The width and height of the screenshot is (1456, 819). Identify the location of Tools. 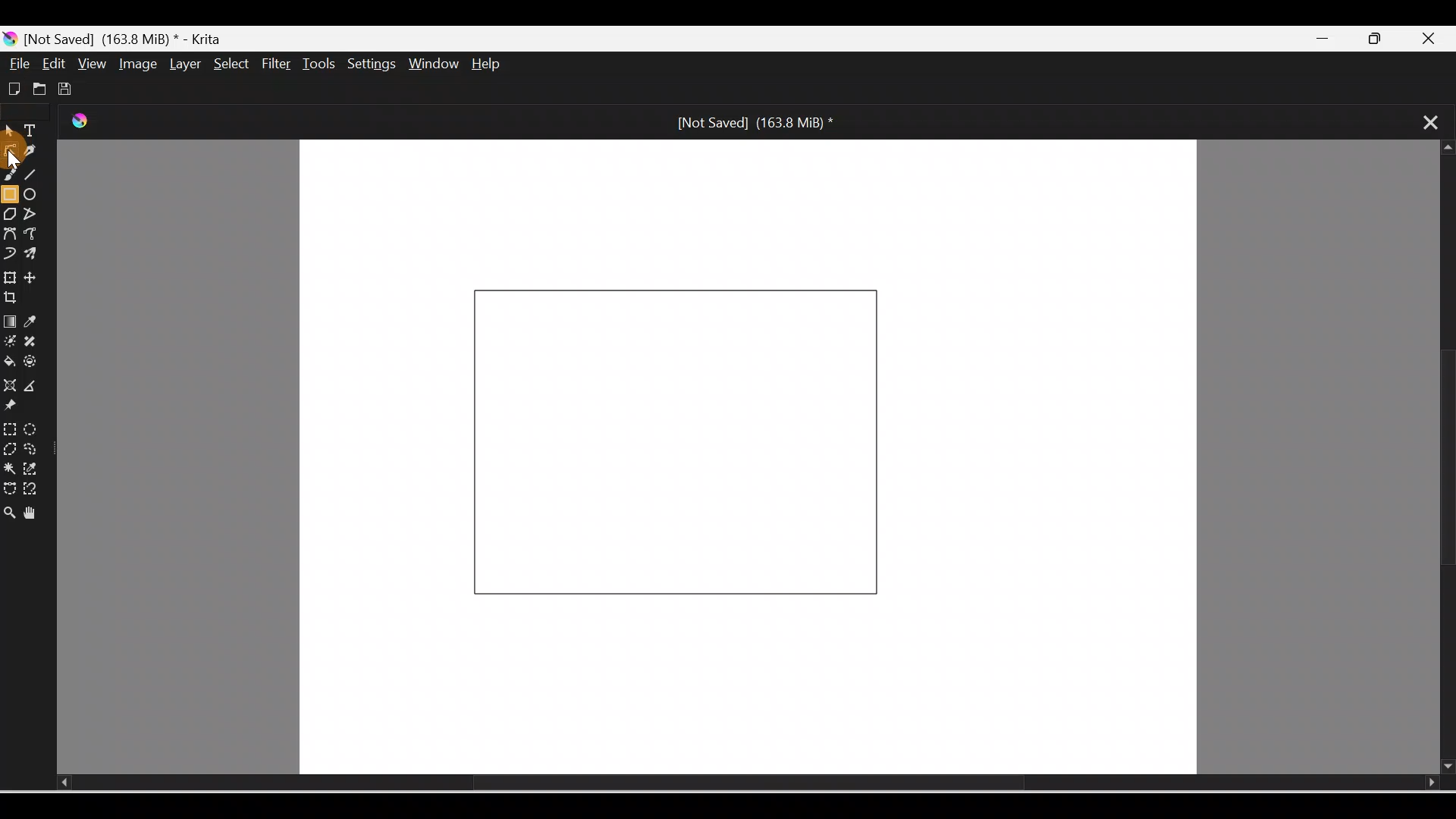
(322, 64).